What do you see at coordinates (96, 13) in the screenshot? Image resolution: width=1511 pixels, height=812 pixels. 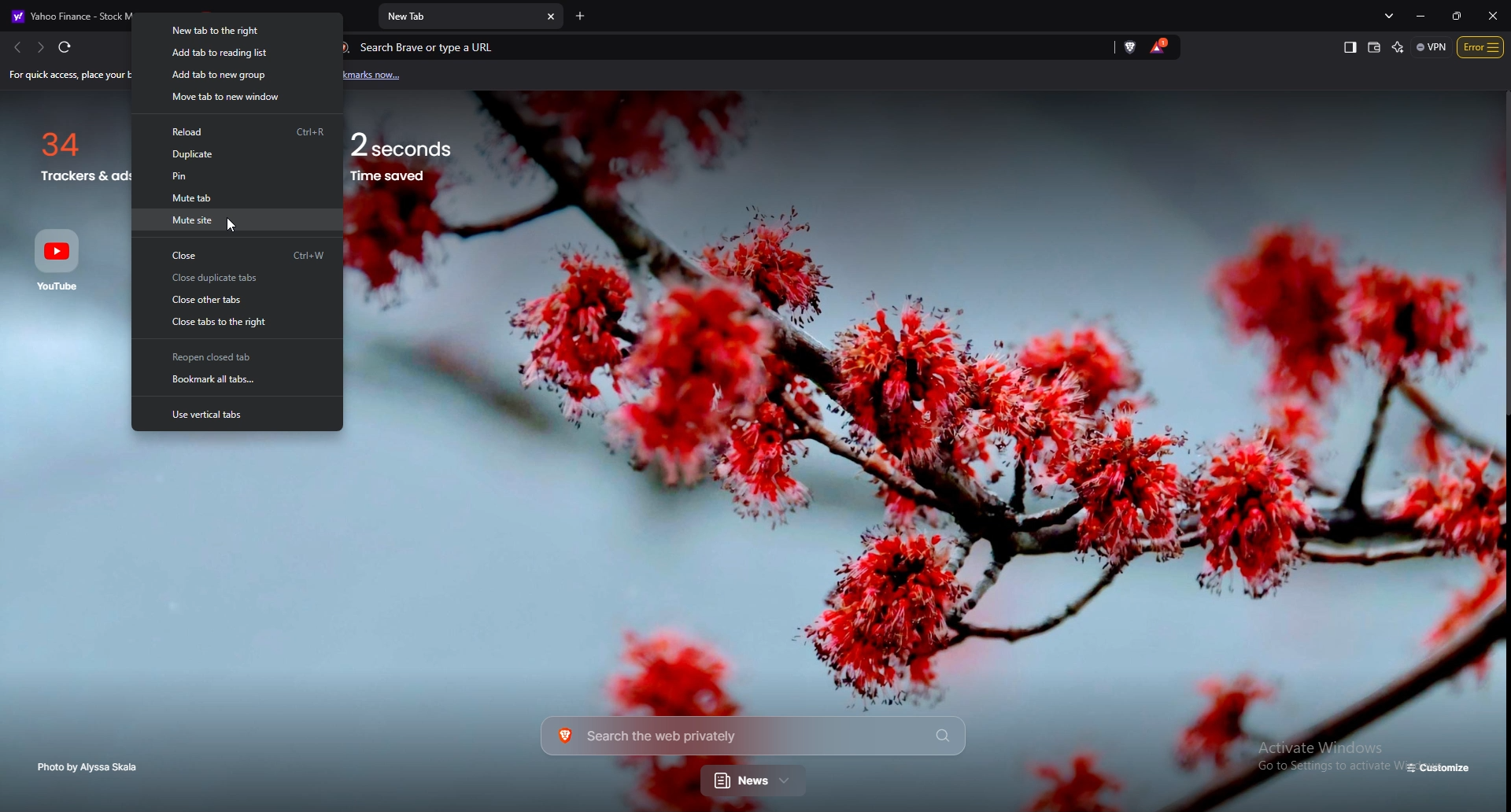 I see `Yahoo Finance - Stock Market` at bounding box center [96, 13].